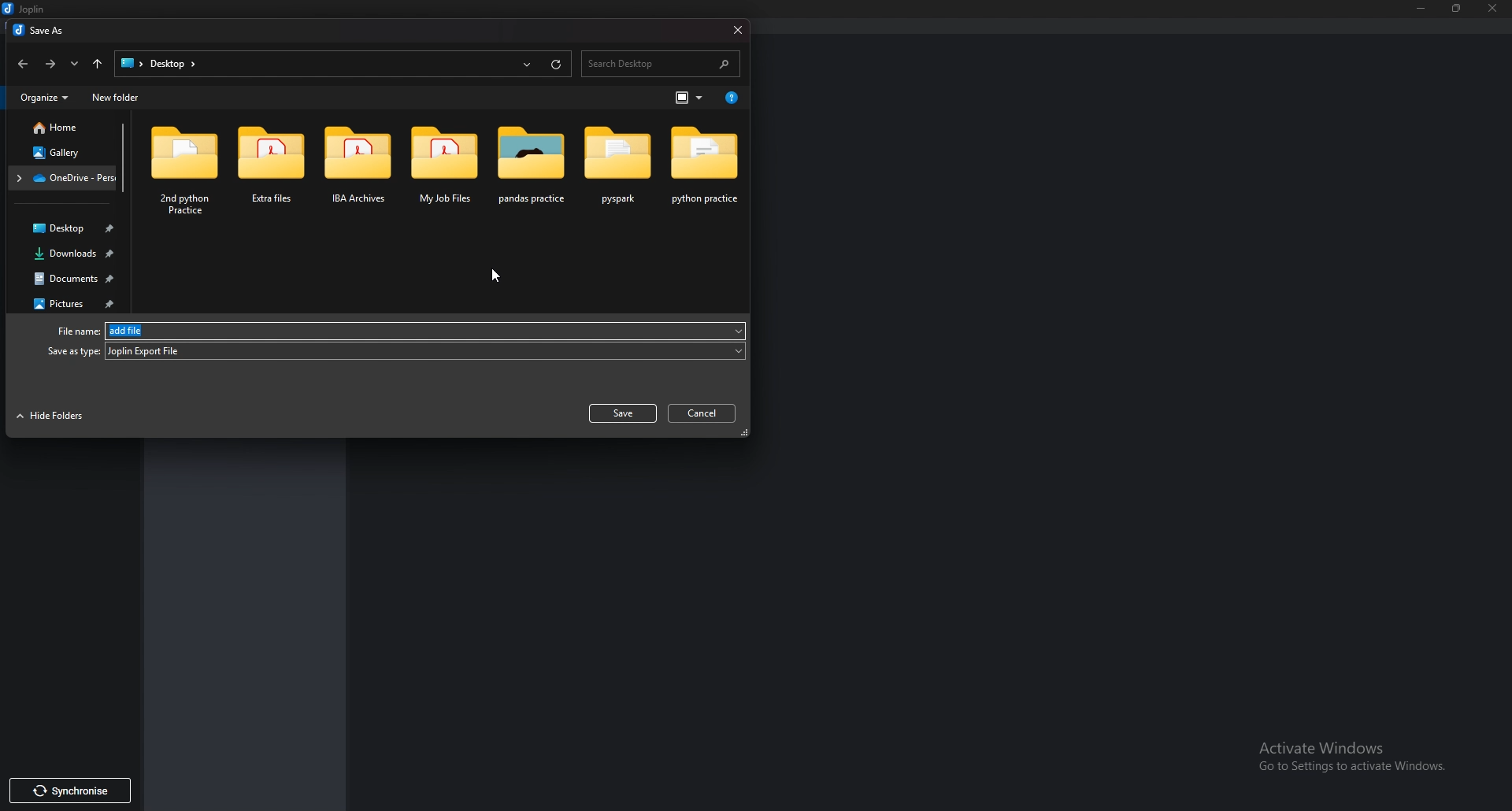 The width and height of the screenshot is (1512, 811). Describe the element at coordinates (23, 65) in the screenshot. I see `back` at that location.